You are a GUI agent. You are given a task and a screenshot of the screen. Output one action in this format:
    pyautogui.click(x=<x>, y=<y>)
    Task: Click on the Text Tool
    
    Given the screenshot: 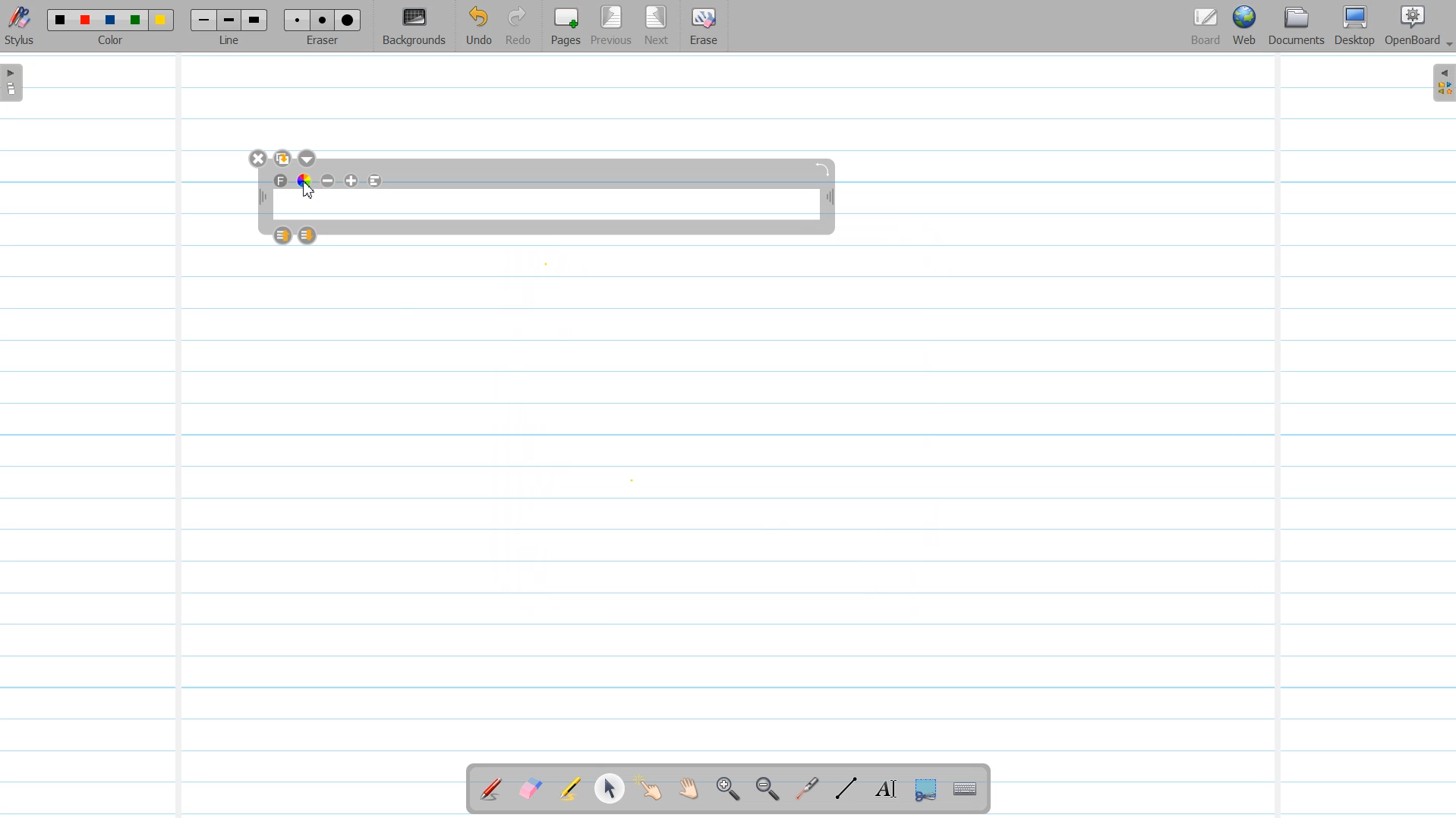 What is the action you would take?
    pyautogui.click(x=883, y=789)
    